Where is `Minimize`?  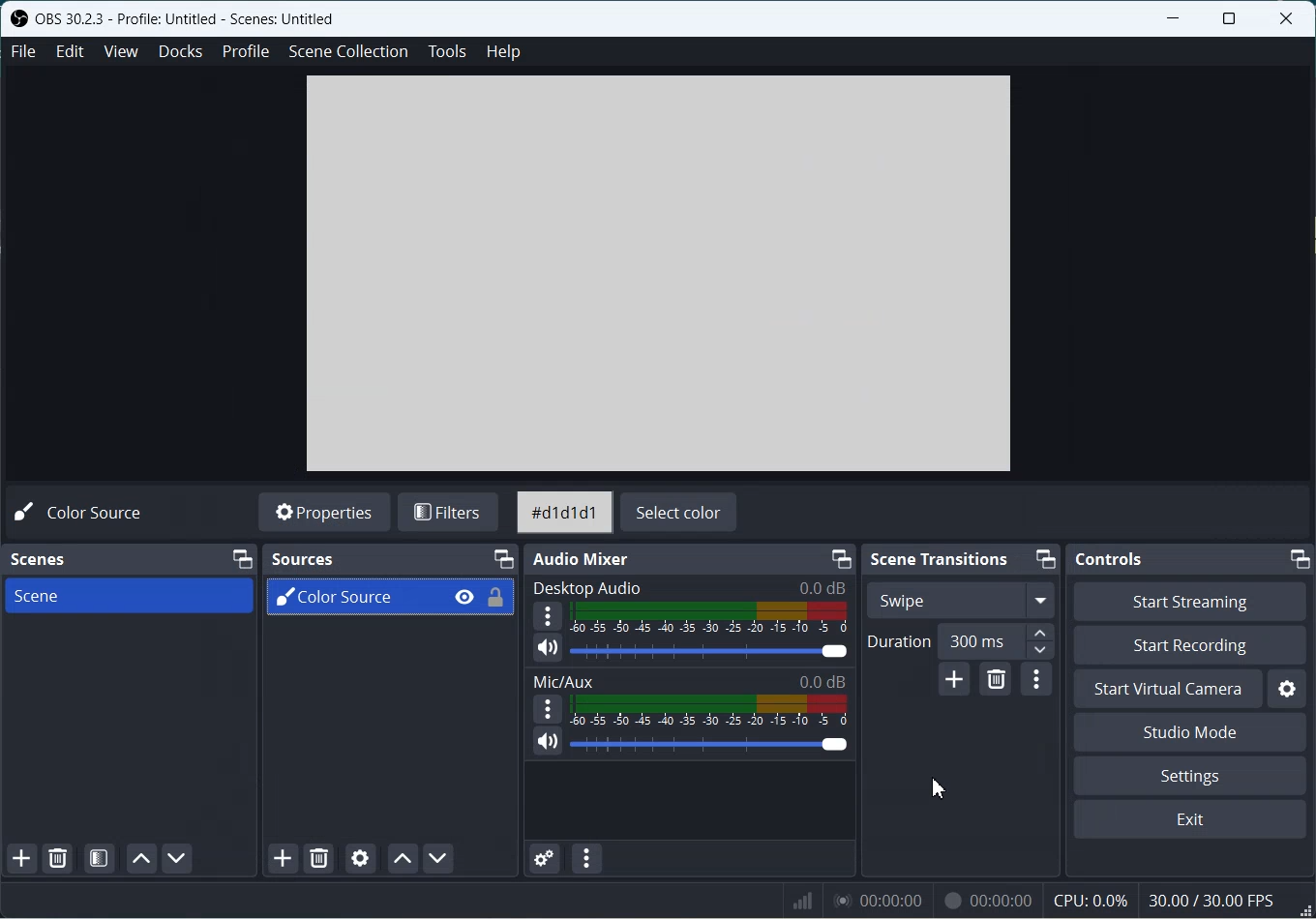
Minimize is located at coordinates (1301, 558).